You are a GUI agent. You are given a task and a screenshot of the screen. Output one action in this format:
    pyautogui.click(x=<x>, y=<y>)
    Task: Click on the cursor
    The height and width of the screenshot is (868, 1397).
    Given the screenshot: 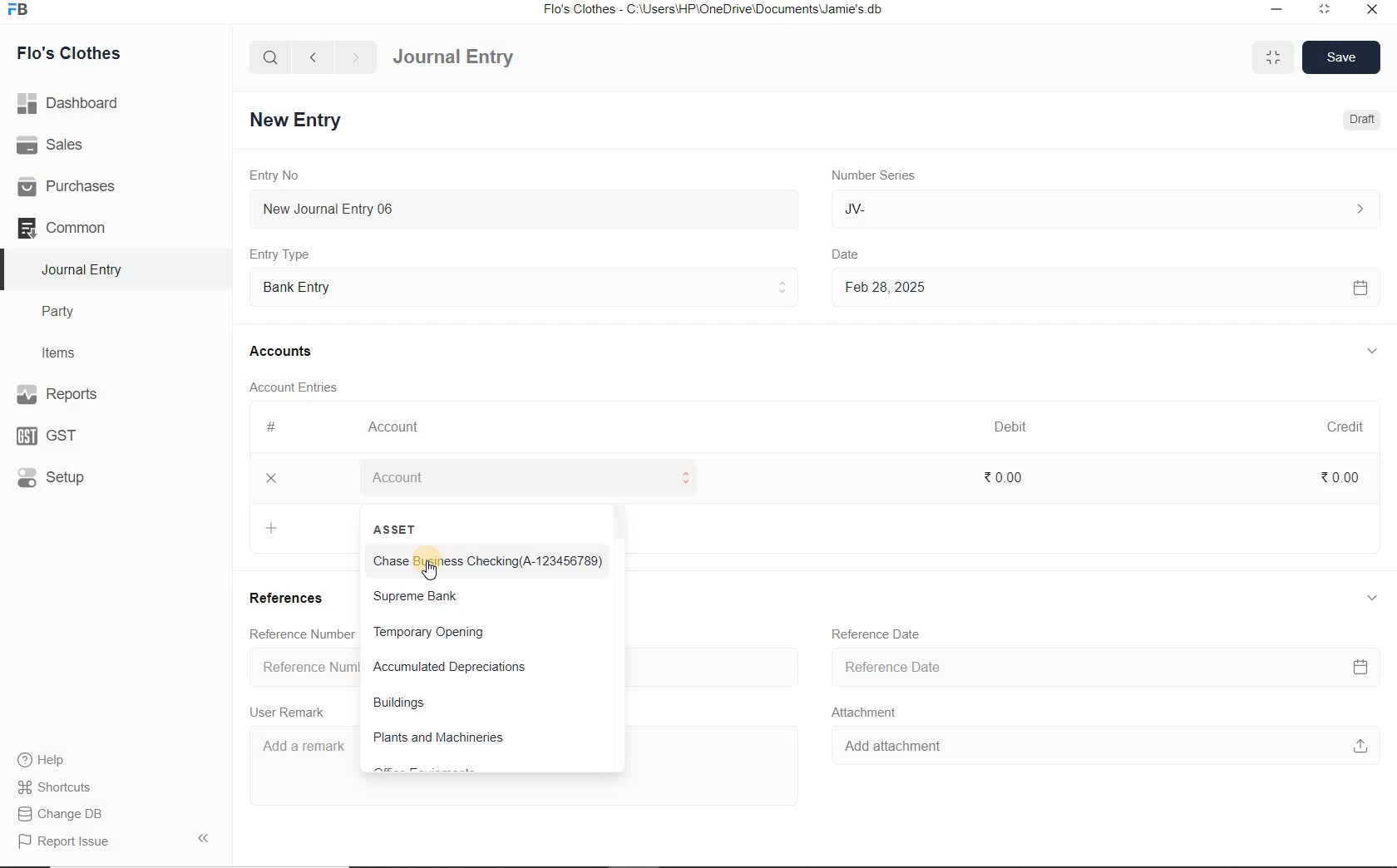 What is the action you would take?
    pyautogui.click(x=436, y=574)
    